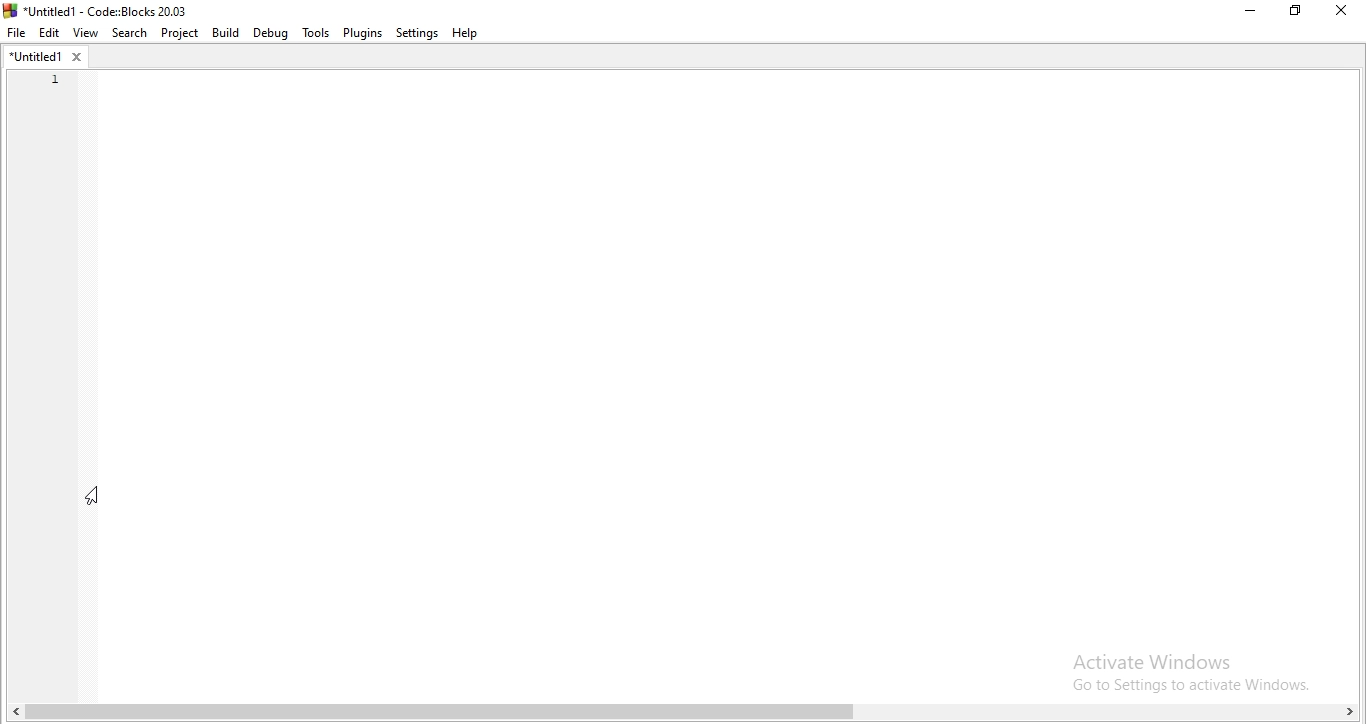 The height and width of the screenshot is (724, 1366). Describe the element at coordinates (49, 33) in the screenshot. I see `Edit ` at that location.